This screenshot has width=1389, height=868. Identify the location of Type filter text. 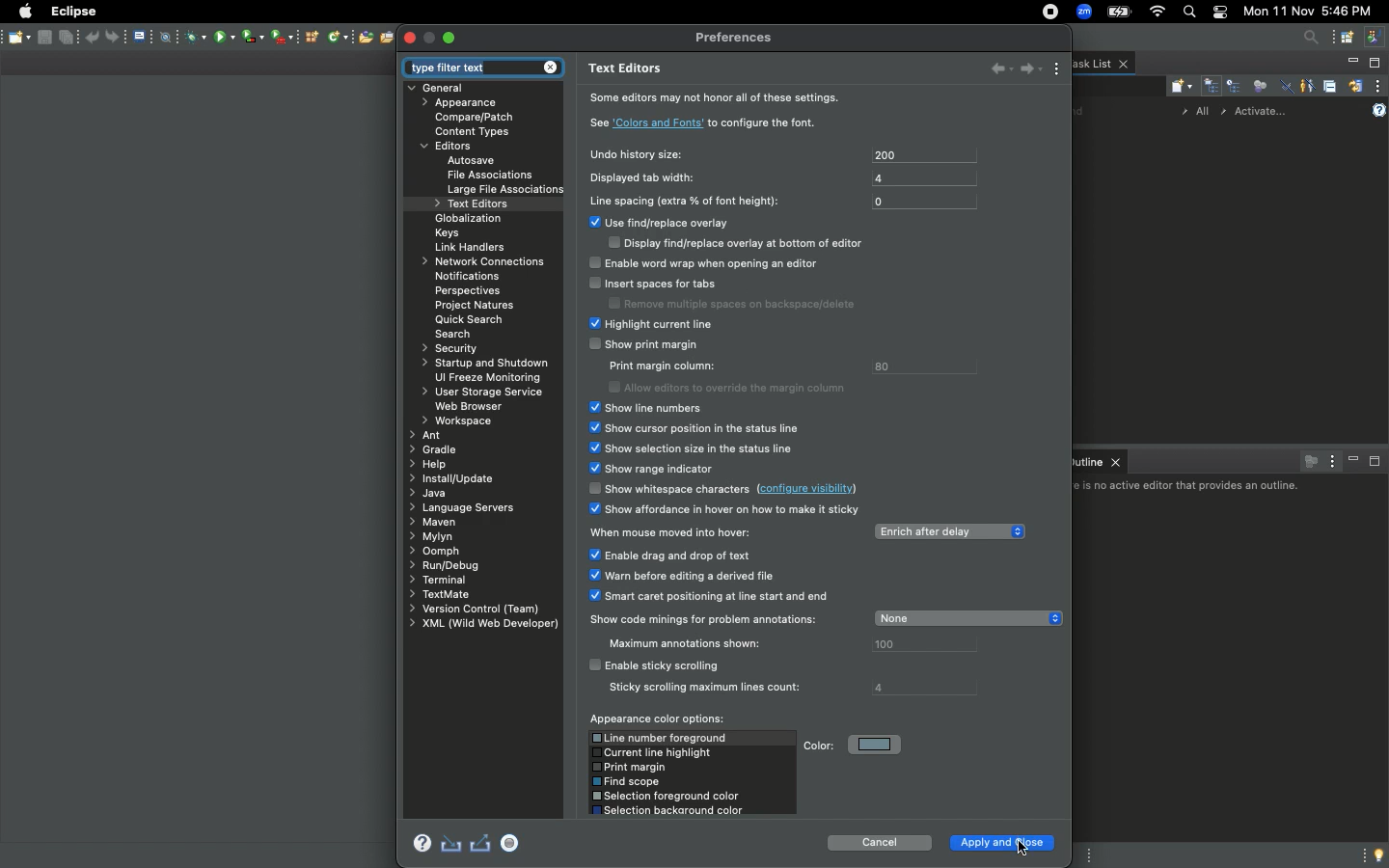
(481, 67).